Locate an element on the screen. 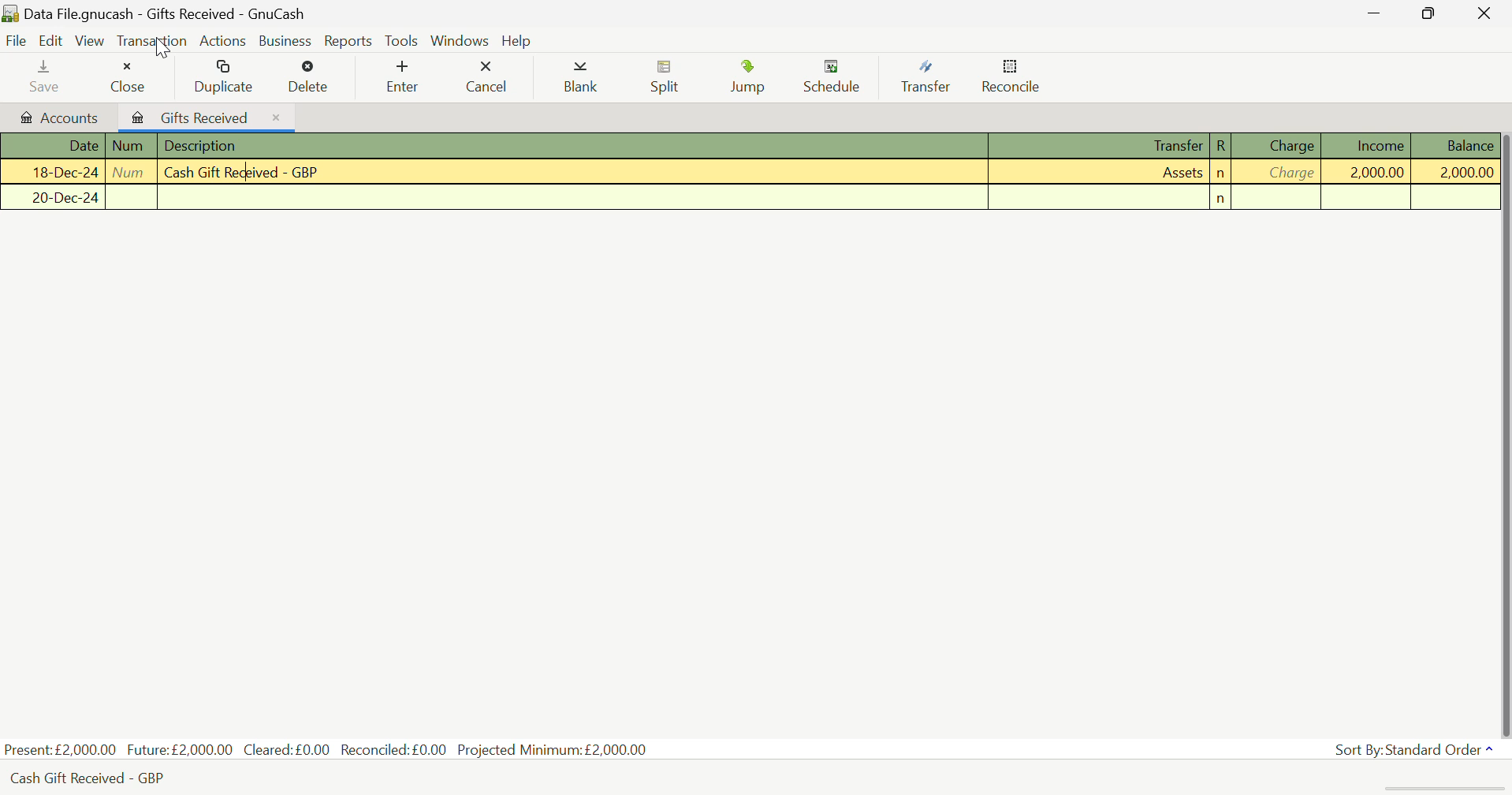 The width and height of the screenshot is (1512, 795). Help is located at coordinates (516, 39).